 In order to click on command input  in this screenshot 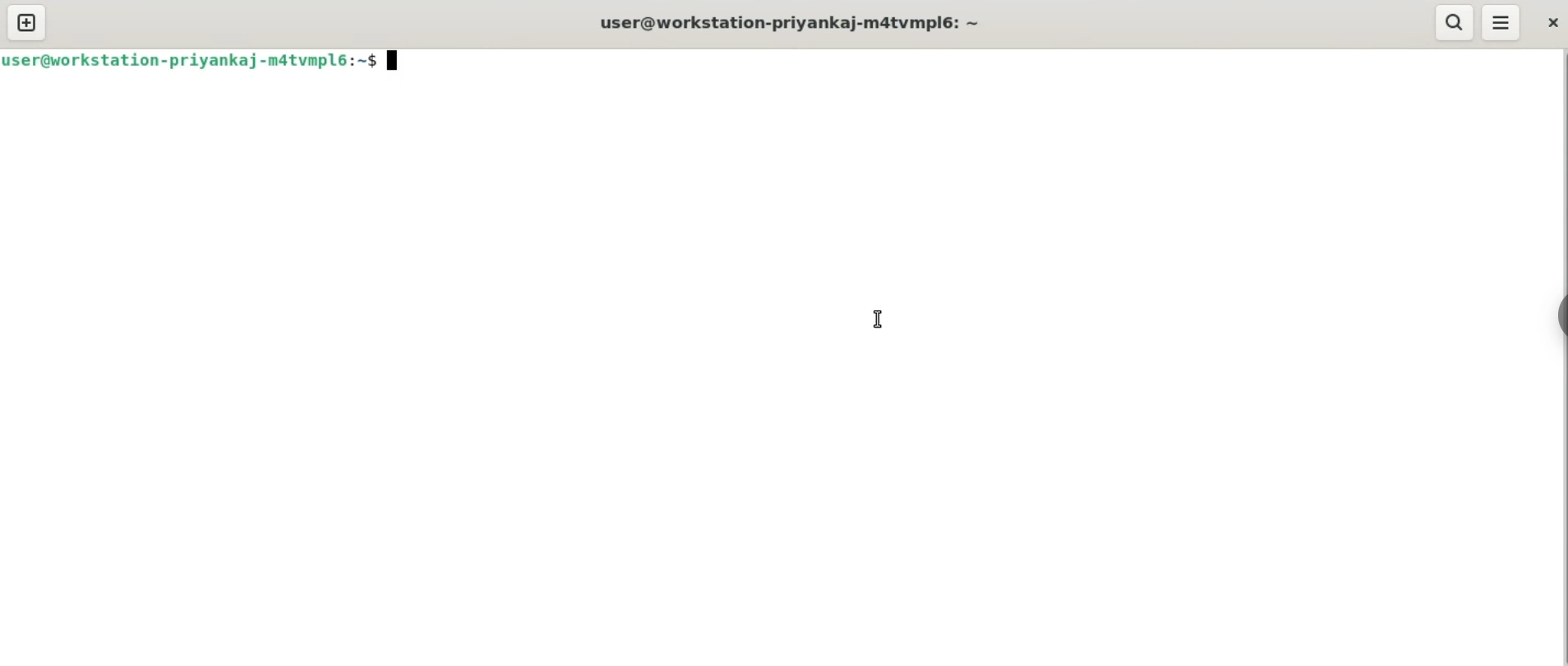, I will do `click(988, 62)`.